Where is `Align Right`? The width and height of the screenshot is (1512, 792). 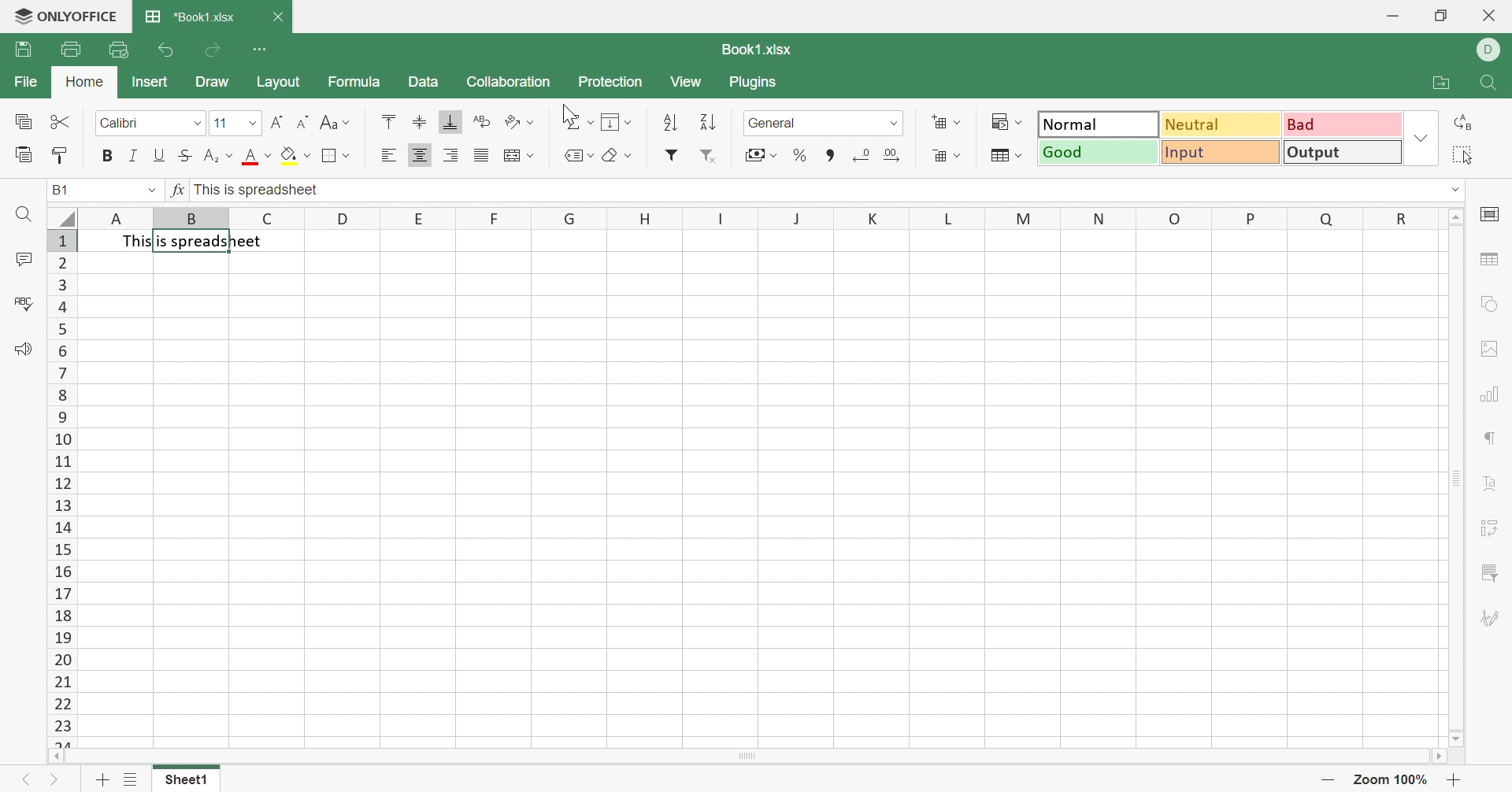 Align Right is located at coordinates (452, 154).